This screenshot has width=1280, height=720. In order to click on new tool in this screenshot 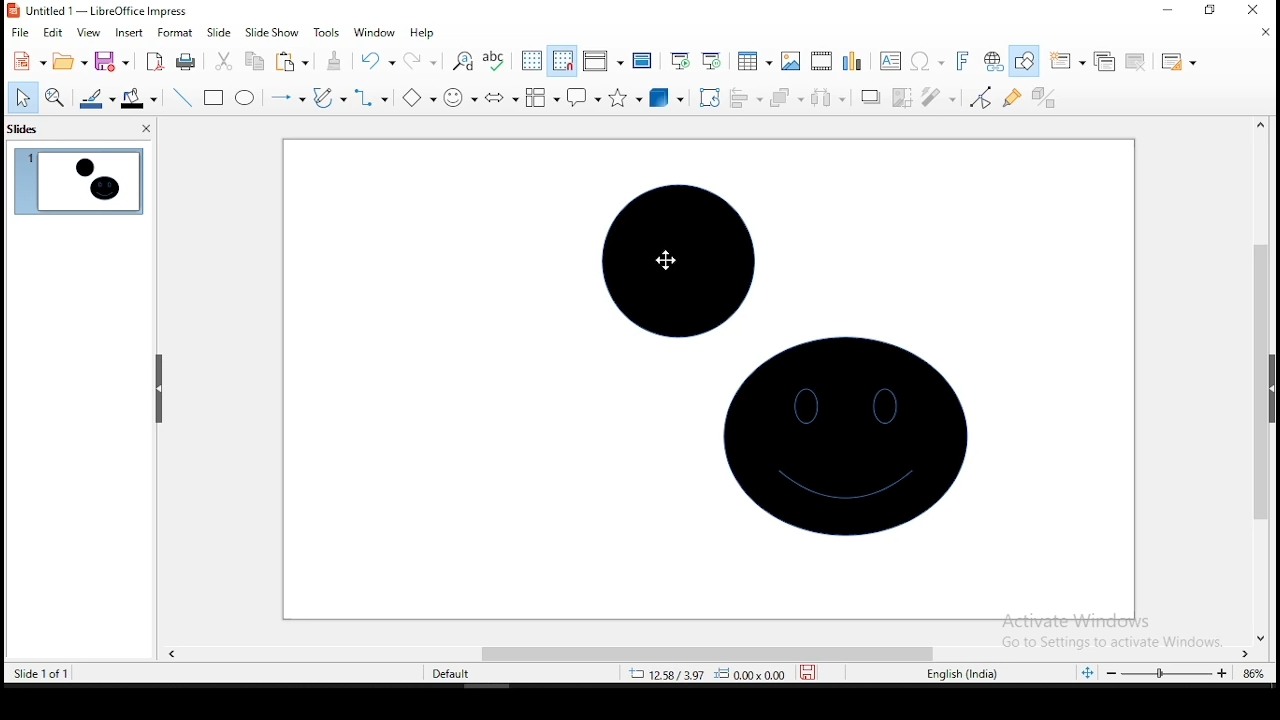, I will do `click(28, 60)`.